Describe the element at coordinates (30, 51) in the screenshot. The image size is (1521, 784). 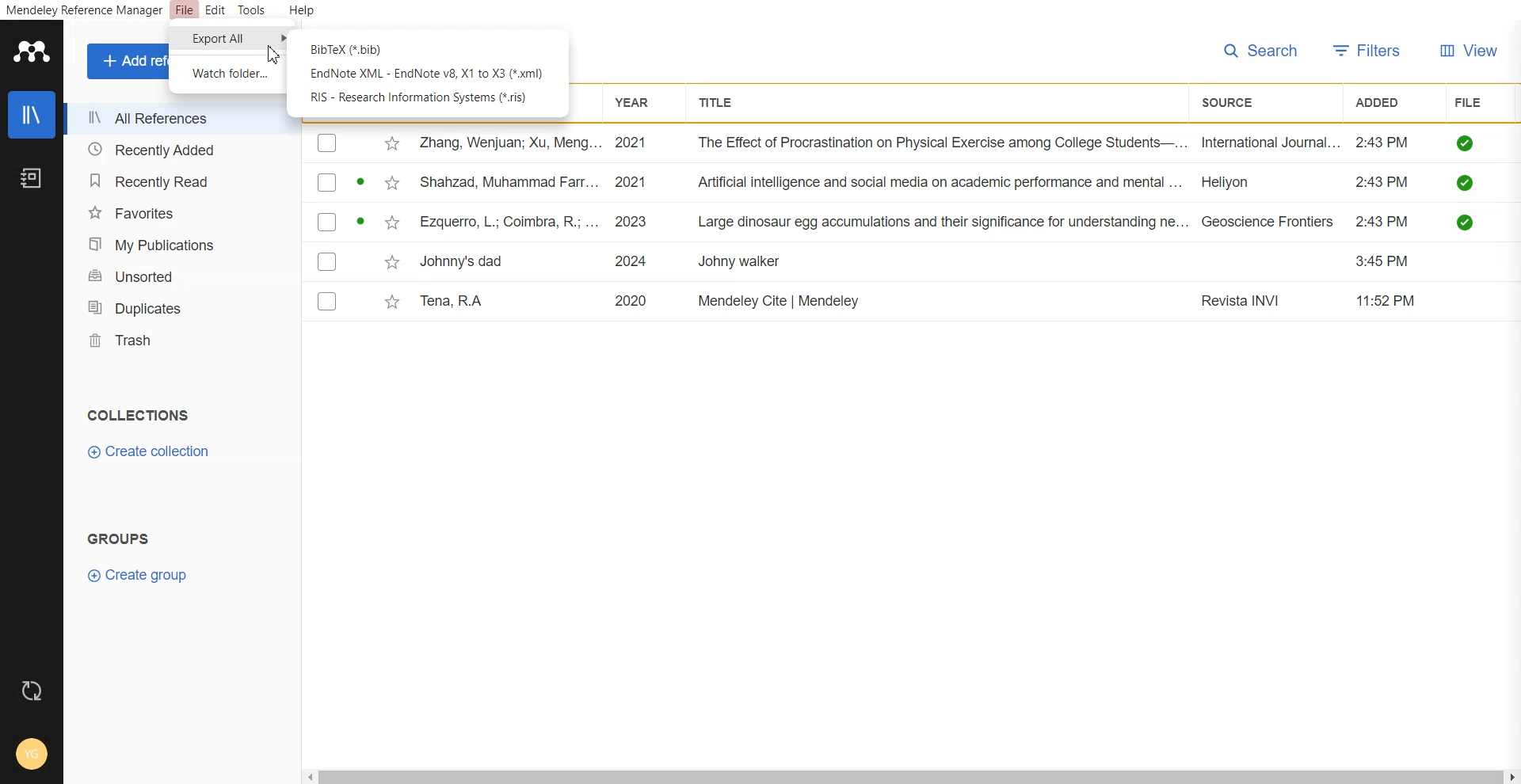
I see `Logo` at that location.